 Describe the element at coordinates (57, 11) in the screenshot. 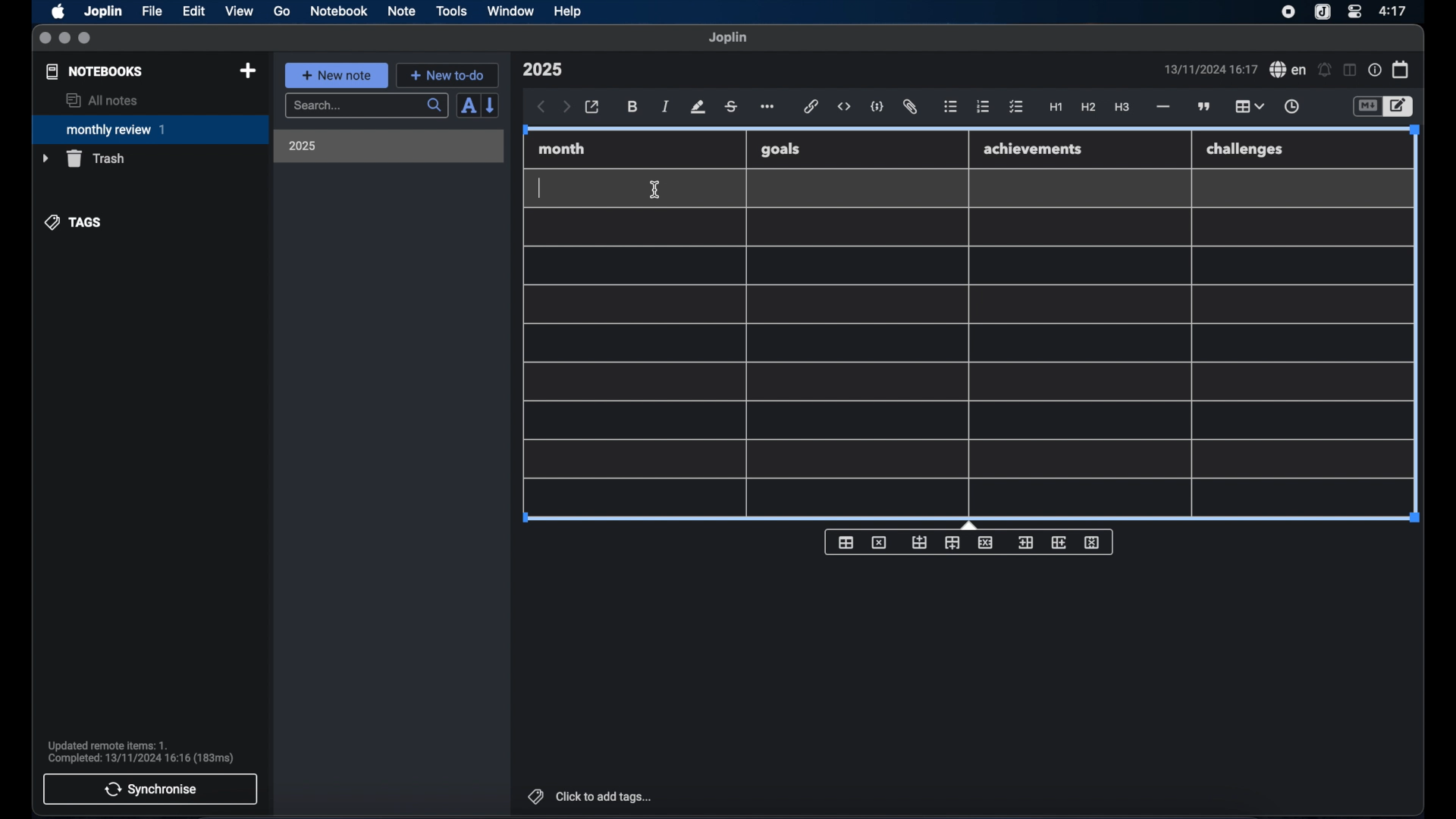

I see `apple icon` at that location.